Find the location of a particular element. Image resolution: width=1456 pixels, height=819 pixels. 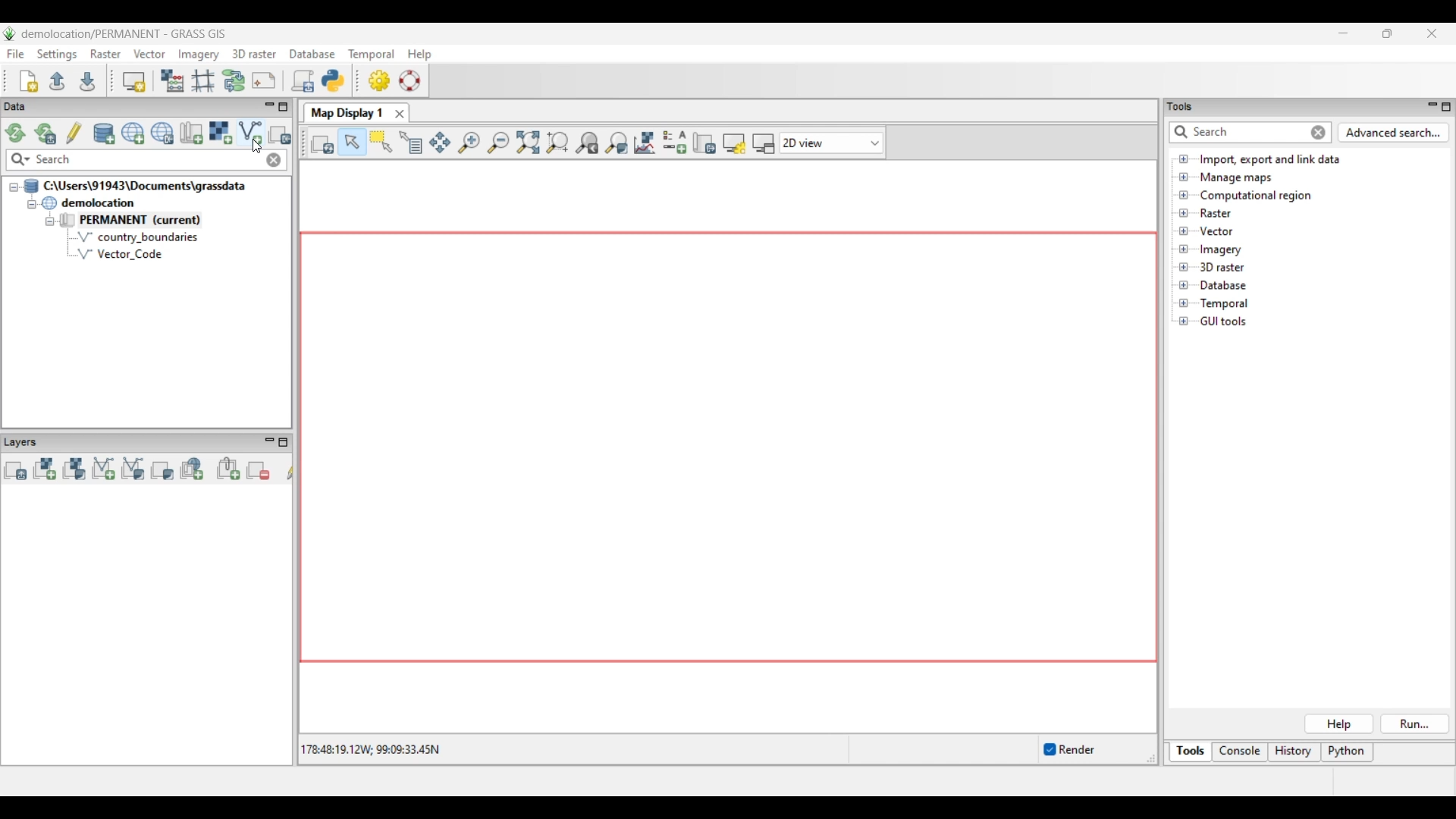

Double click to see files under GUI tools is located at coordinates (1224, 322).